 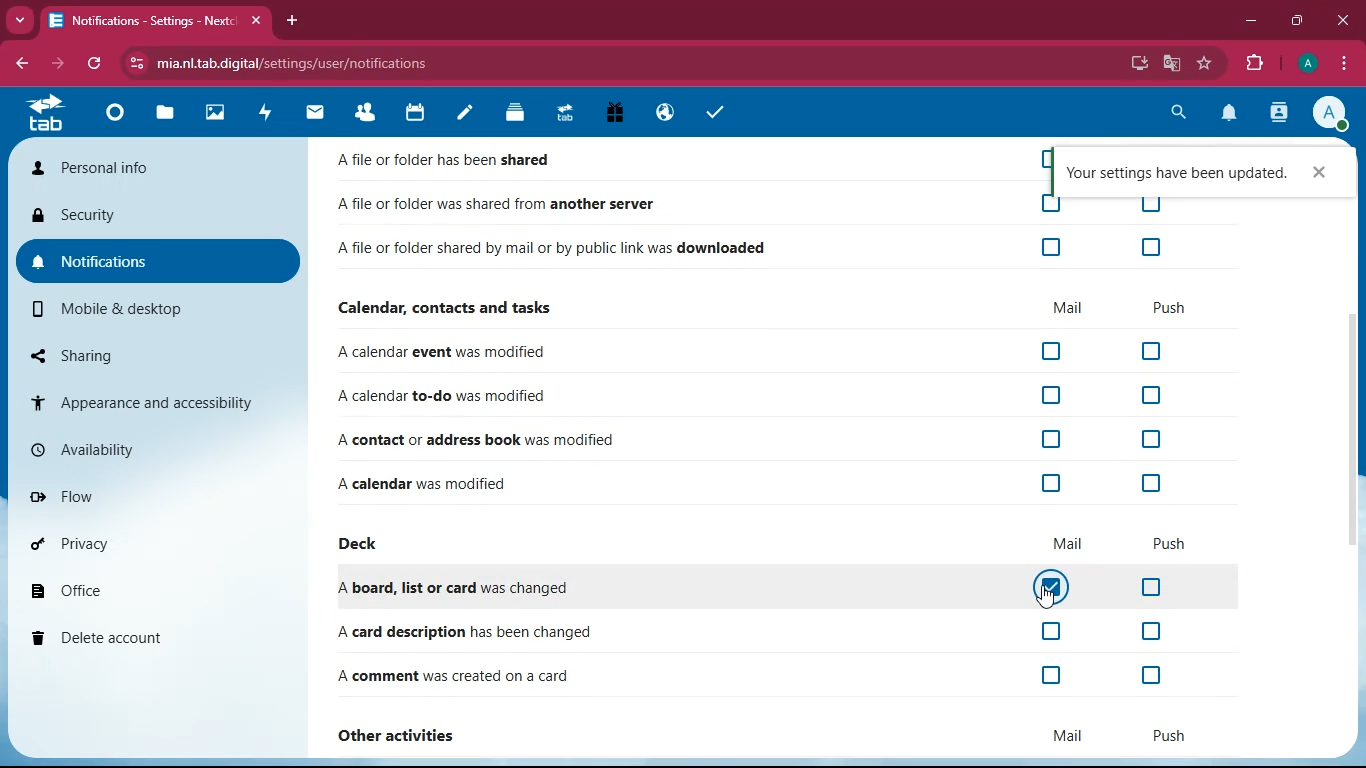 I want to click on A board, list or card was changed, so click(x=463, y=581).